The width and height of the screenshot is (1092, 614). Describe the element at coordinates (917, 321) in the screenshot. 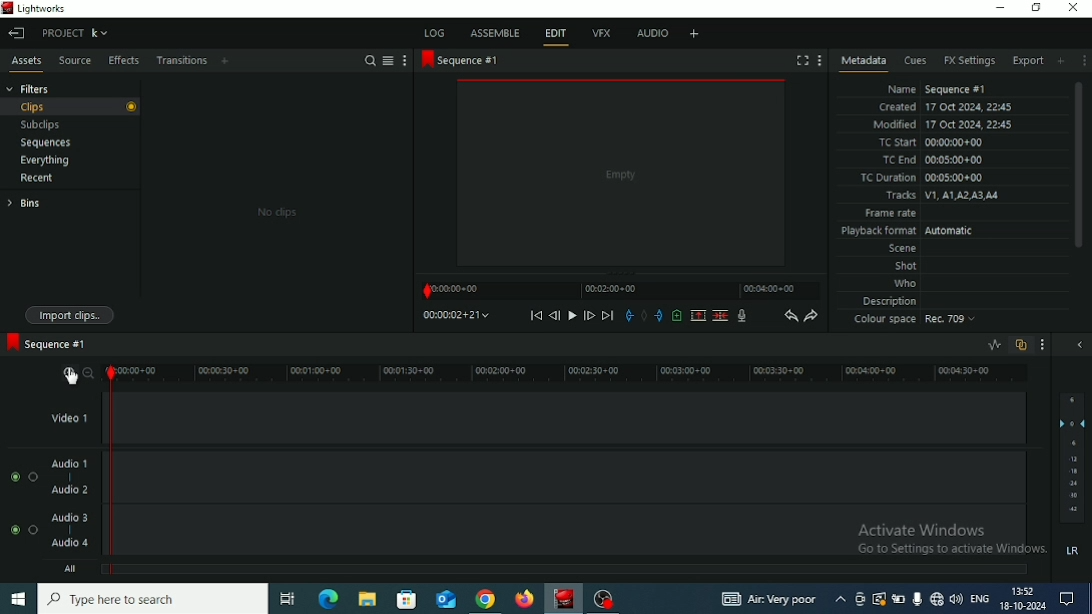

I see `Colour space` at that location.